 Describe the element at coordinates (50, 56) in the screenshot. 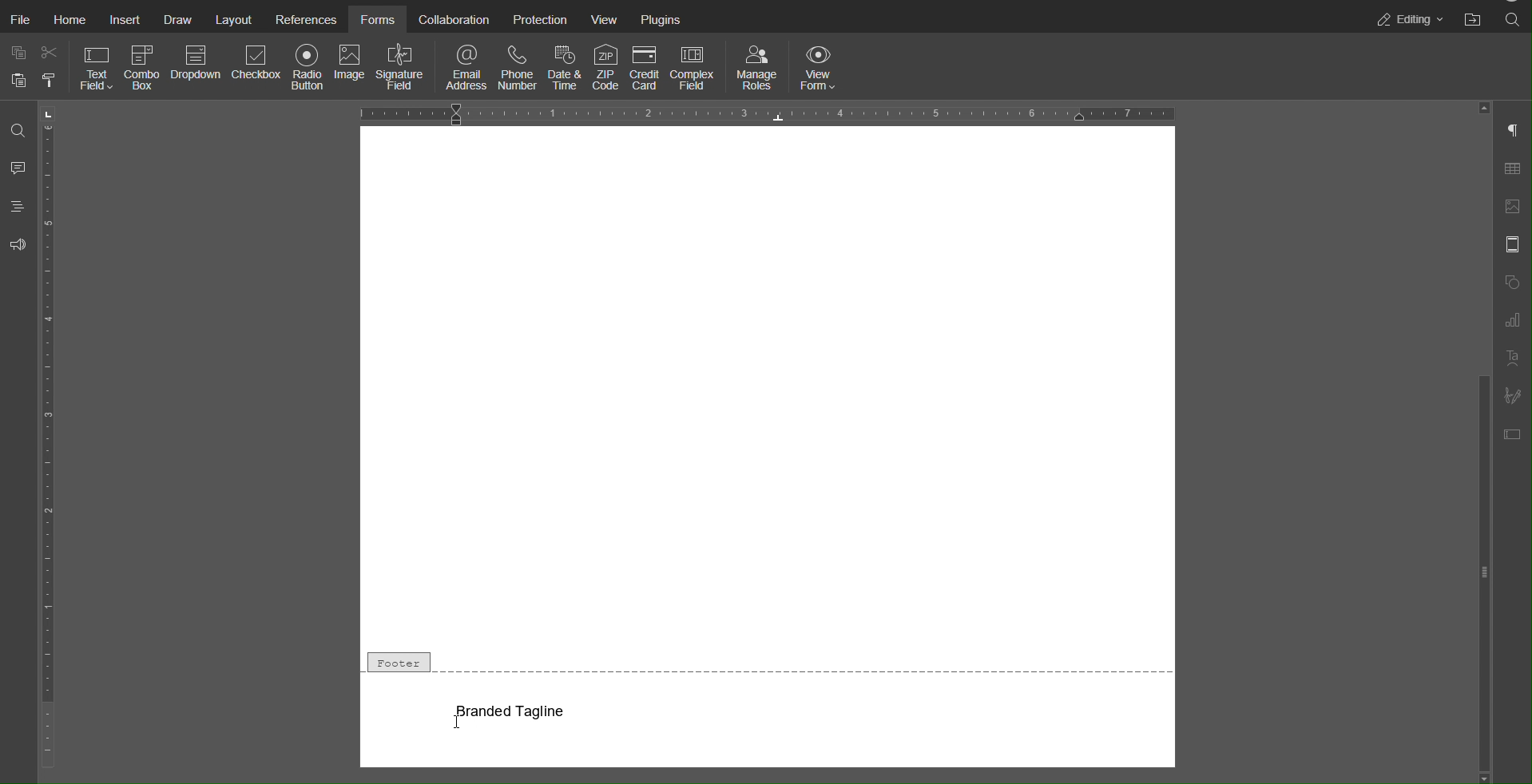

I see `cut` at that location.